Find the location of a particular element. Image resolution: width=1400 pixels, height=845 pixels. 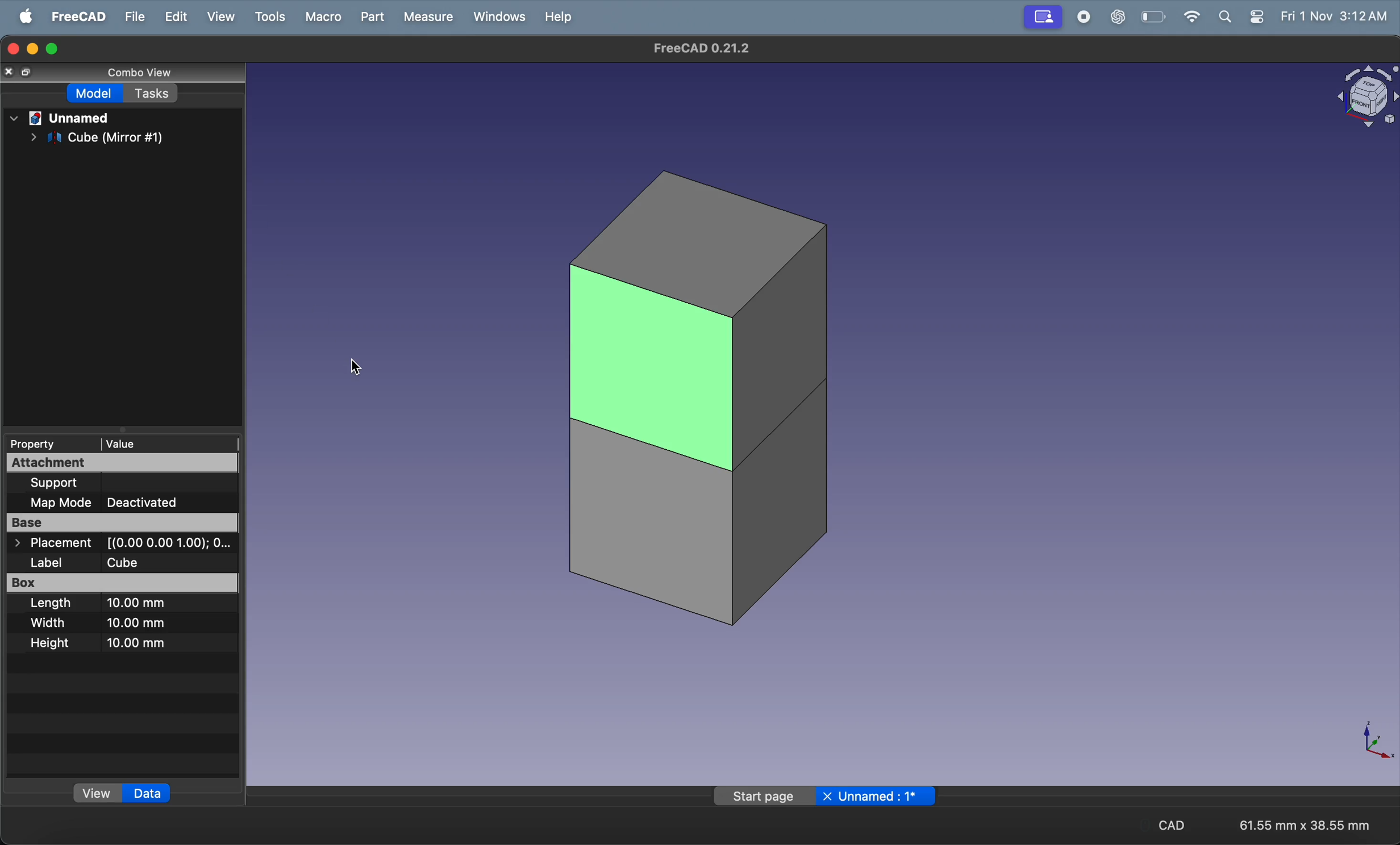

apple menu is located at coordinates (27, 16).